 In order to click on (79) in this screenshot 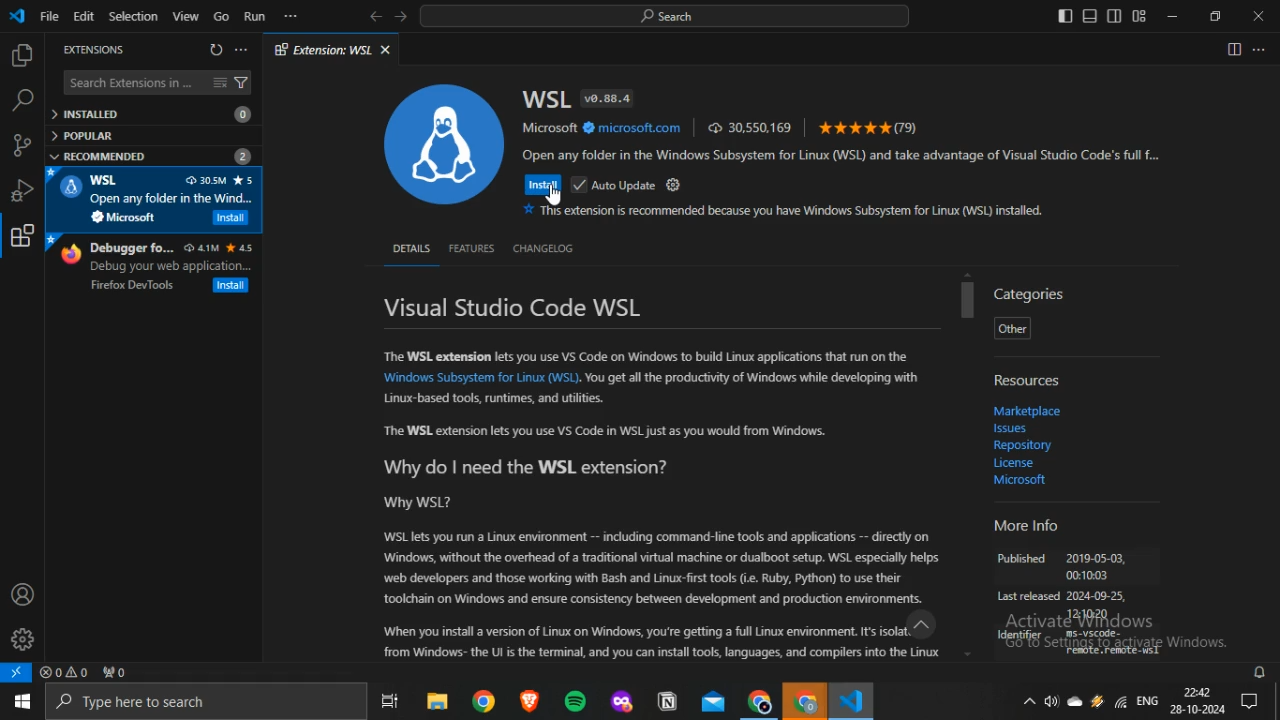, I will do `click(869, 127)`.